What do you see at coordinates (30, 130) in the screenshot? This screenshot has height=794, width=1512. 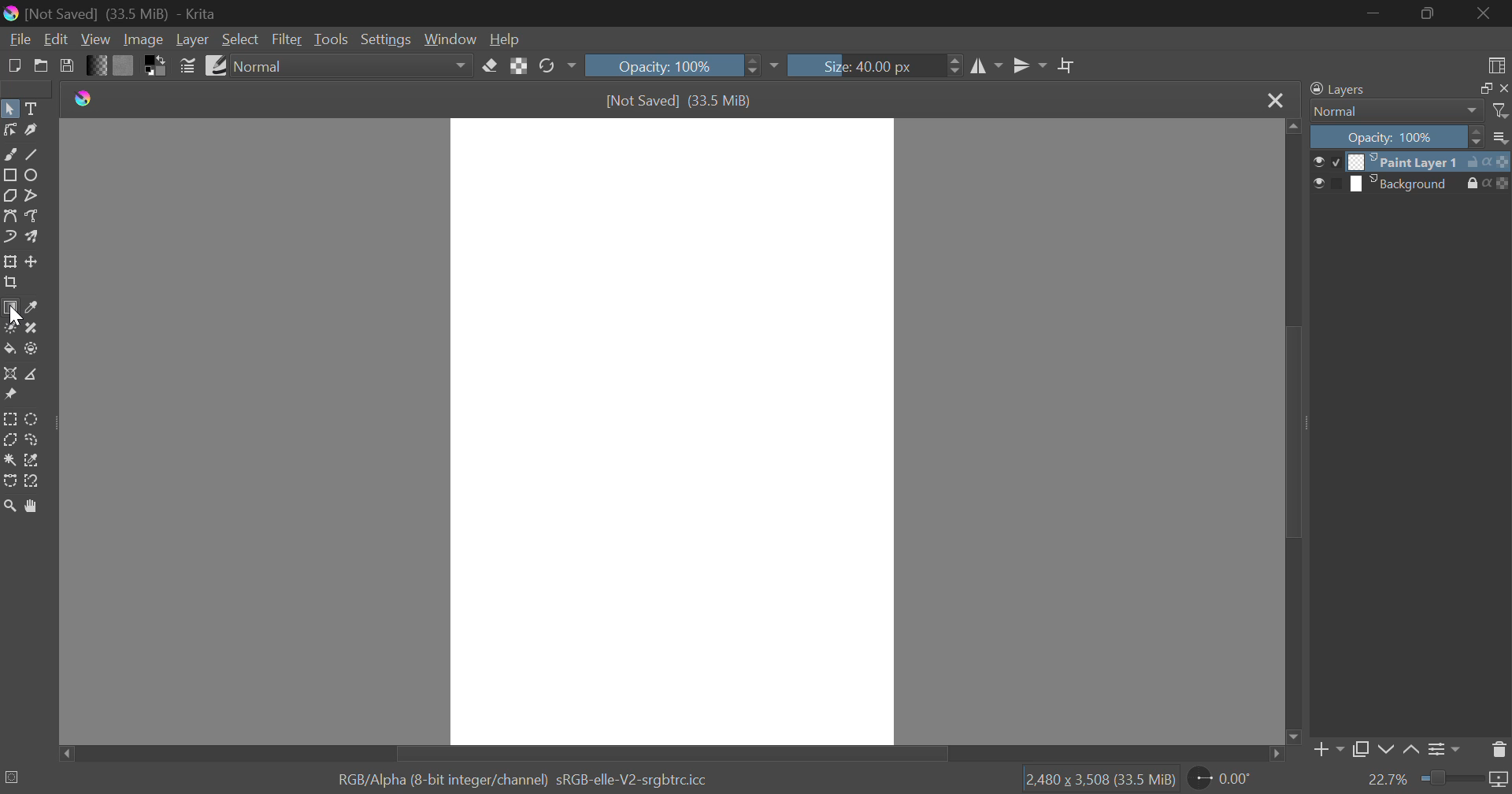 I see `Calligraphic Line` at bounding box center [30, 130].